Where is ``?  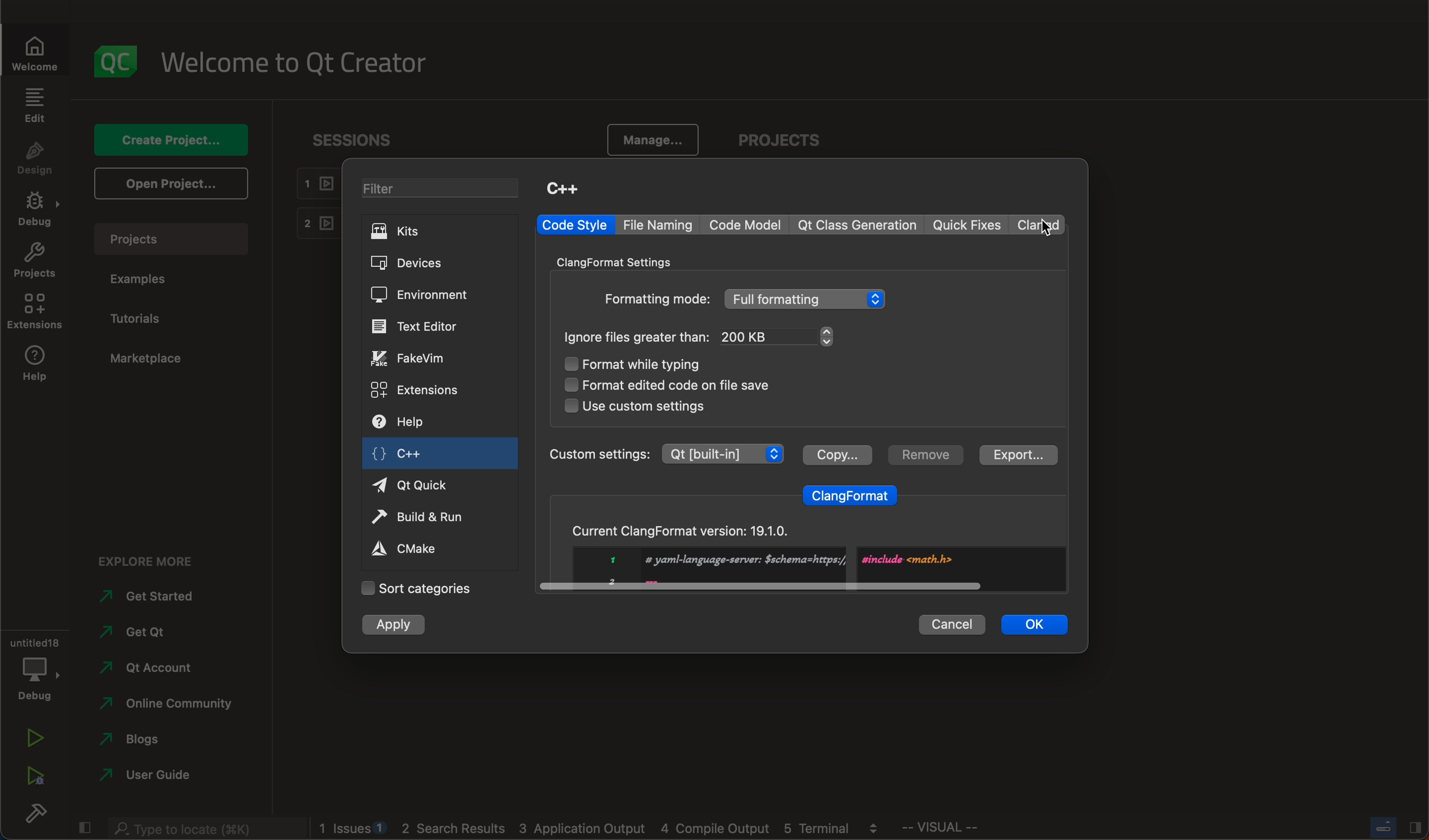  is located at coordinates (953, 626).